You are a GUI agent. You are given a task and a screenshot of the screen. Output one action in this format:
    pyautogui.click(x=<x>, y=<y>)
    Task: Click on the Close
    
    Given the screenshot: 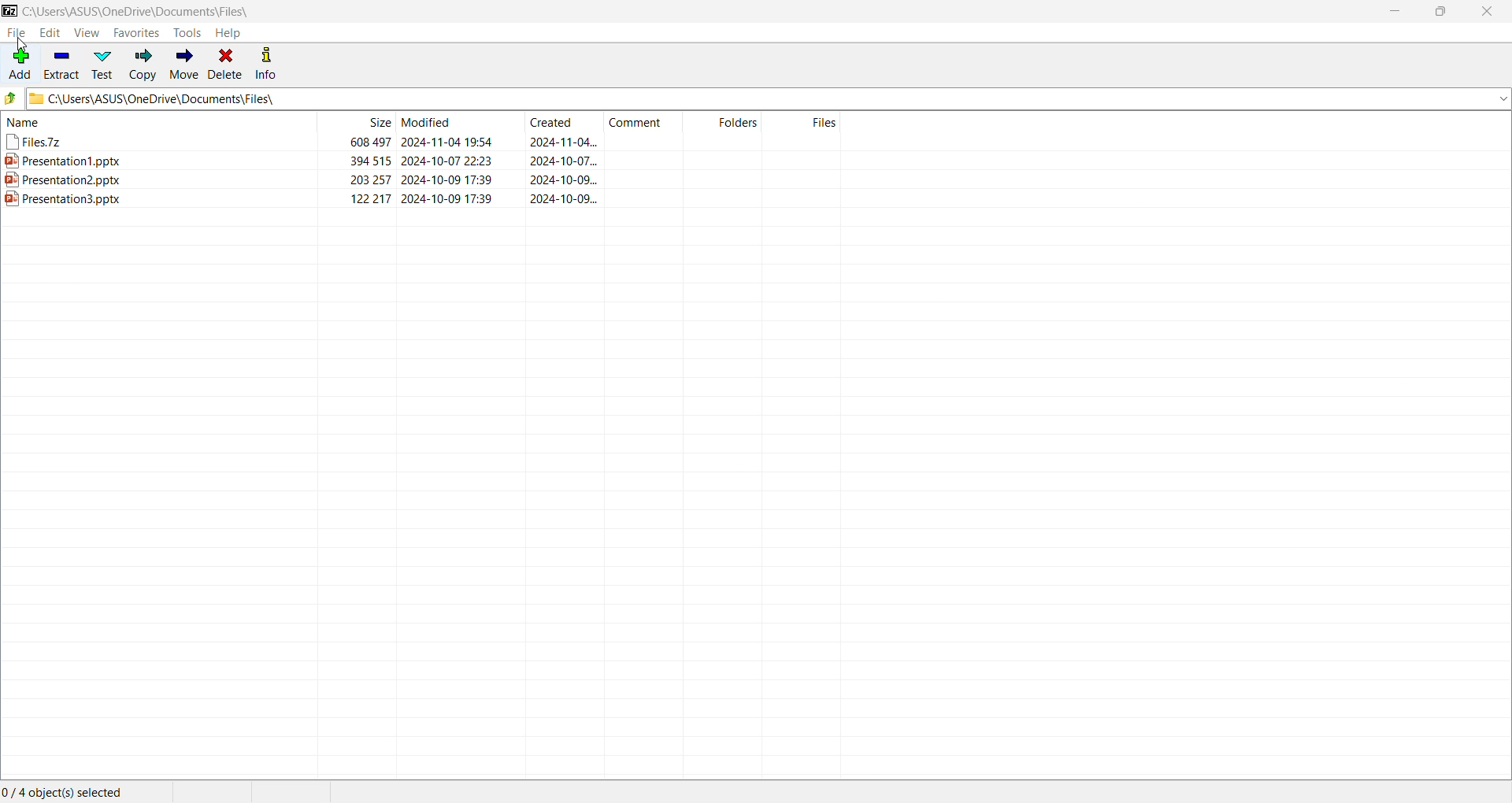 What is the action you would take?
    pyautogui.click(x=1490, y=11)
    